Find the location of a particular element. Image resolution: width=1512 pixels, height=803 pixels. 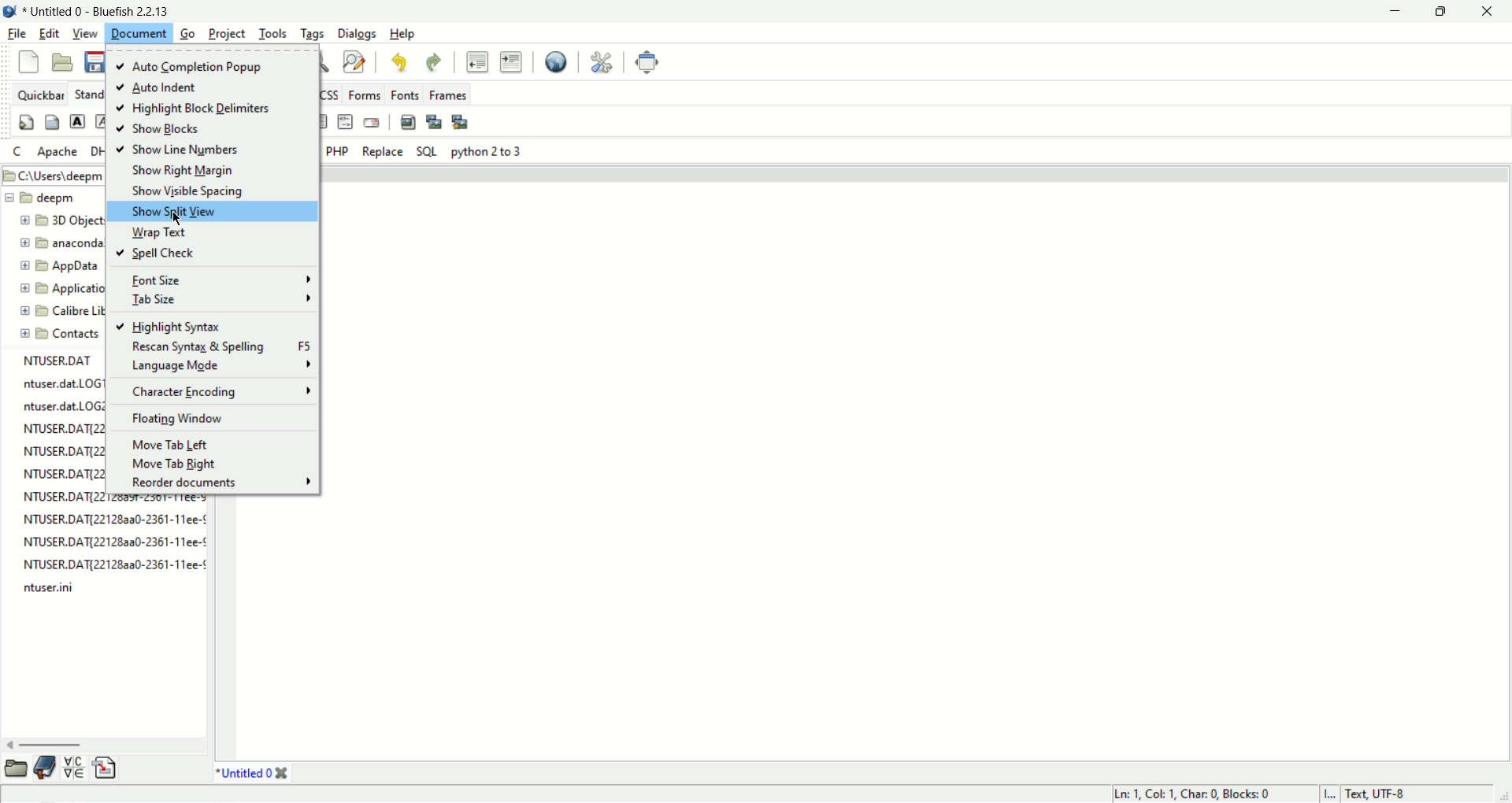

view in browser is located at coordinates (556, 63).